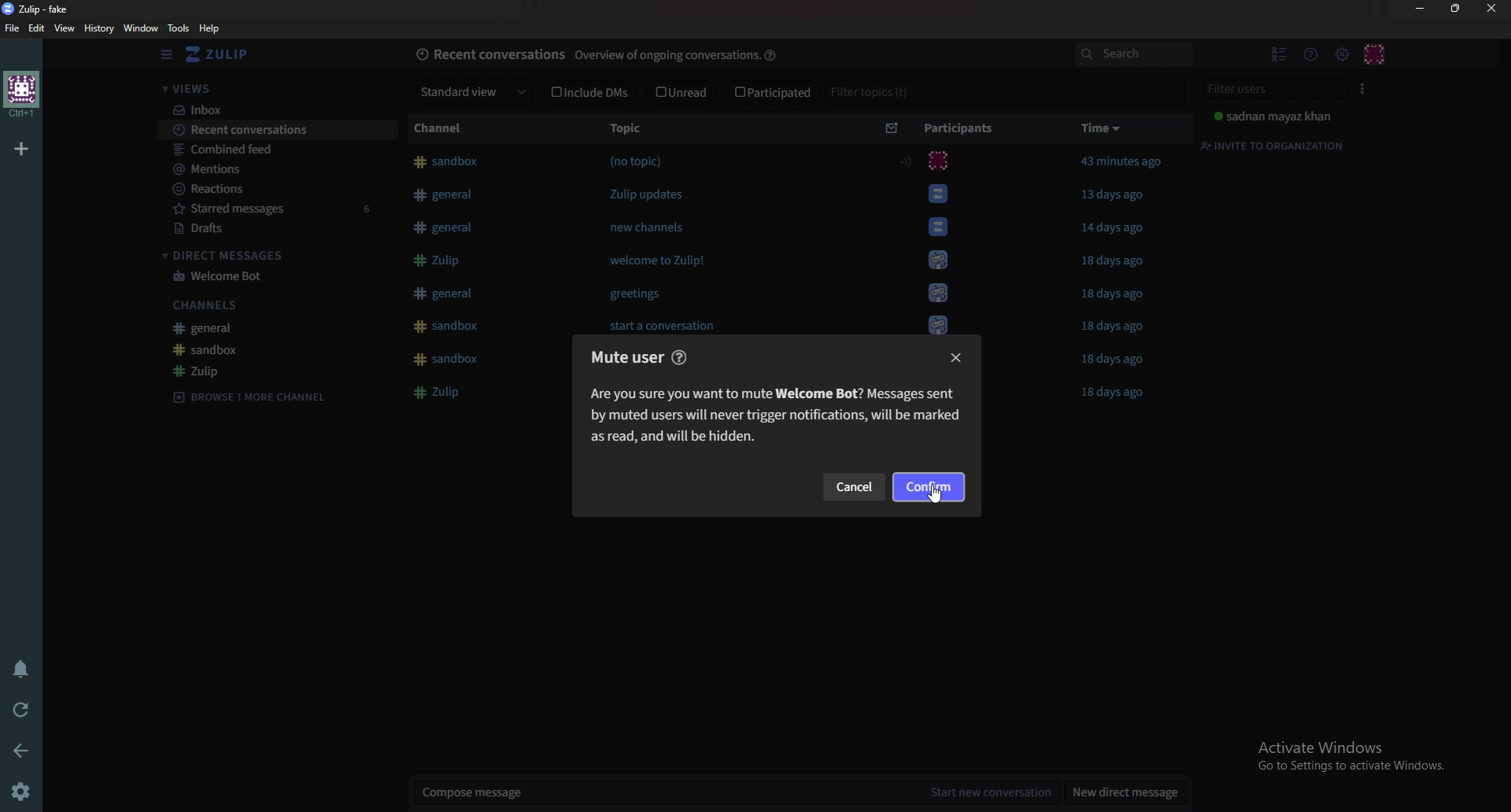 Image resolution: width=1511 pixels, height=812 pixels. I want to click on icon, so click(939, 295).